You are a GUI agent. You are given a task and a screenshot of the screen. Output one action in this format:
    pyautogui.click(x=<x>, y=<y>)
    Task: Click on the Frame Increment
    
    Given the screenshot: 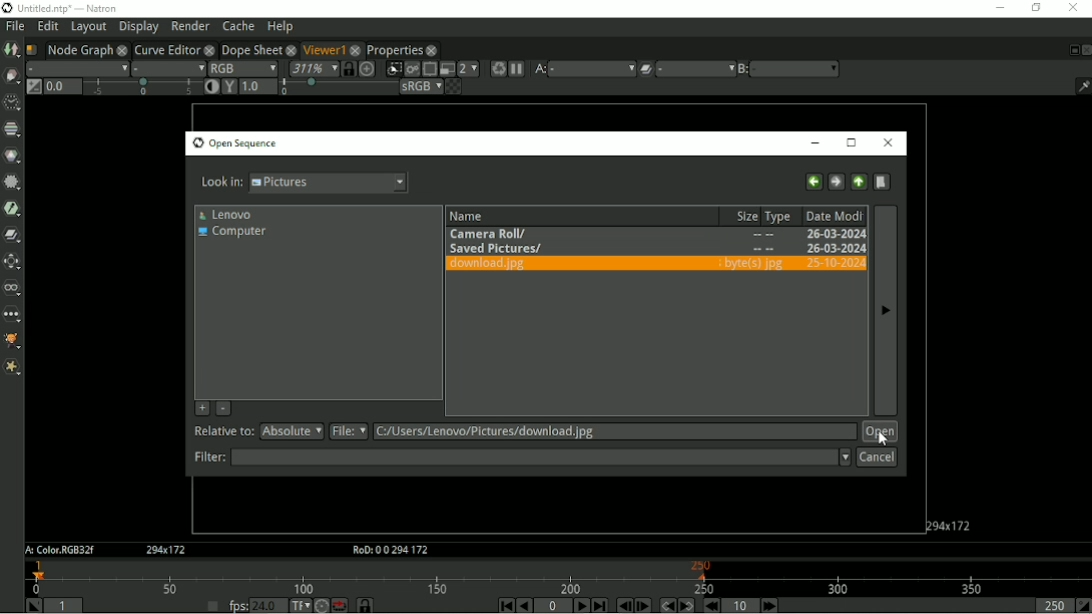 What is the action you would take?
    pyautogui.click(x=738, y=605)
    